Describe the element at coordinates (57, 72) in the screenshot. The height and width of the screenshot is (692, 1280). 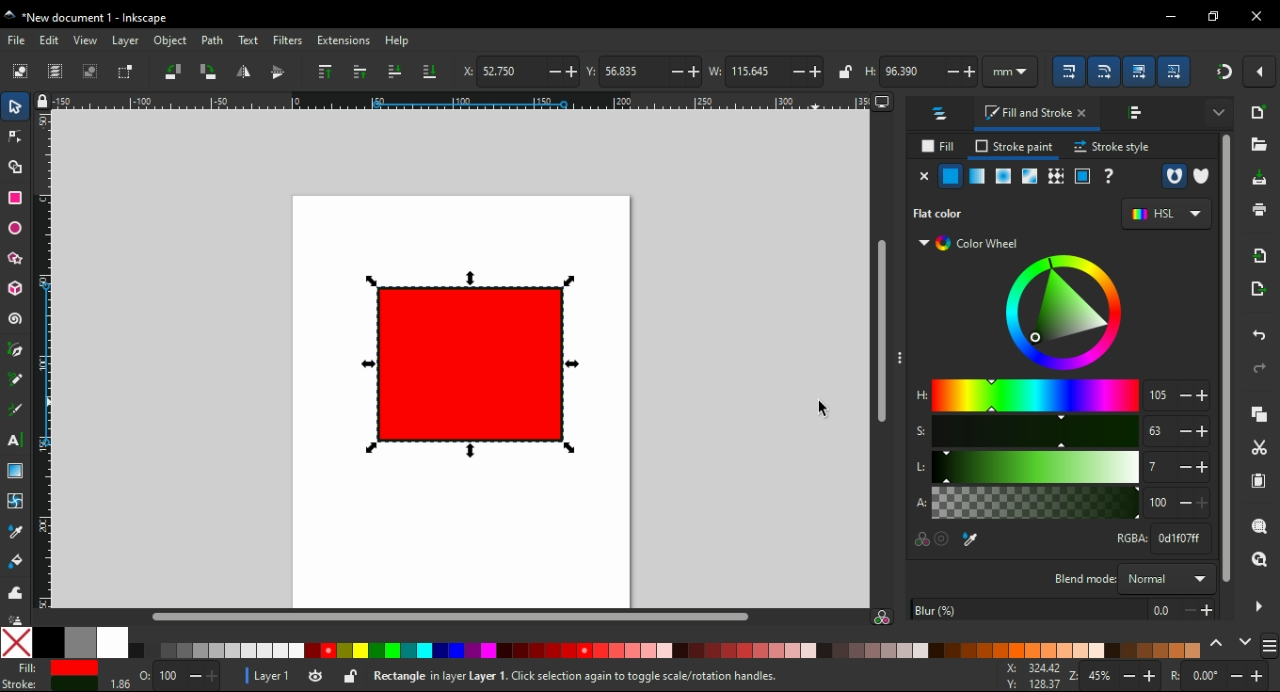
I see `select all in all layers` at that location.